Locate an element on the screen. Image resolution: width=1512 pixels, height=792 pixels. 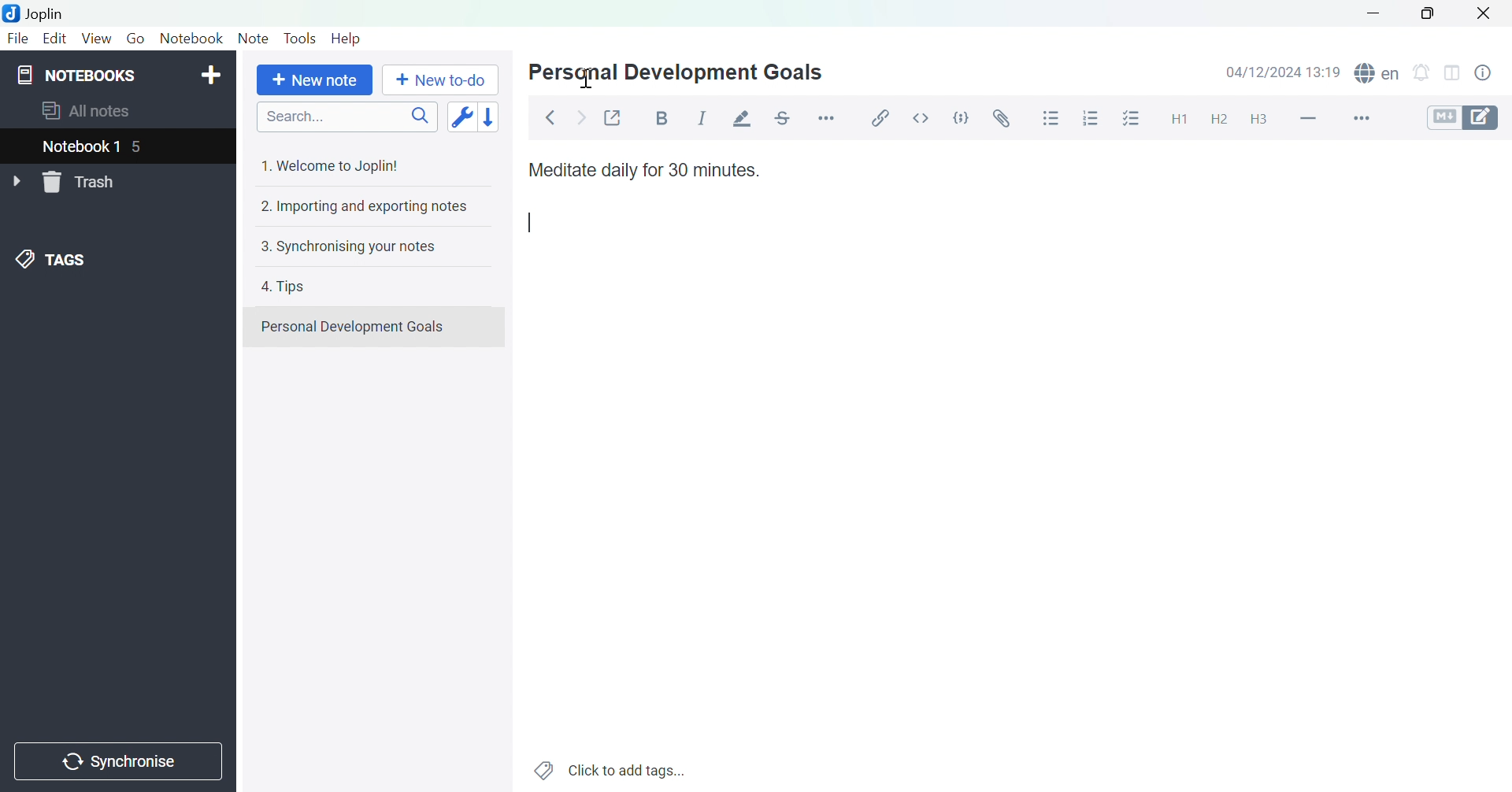
Bold is located at coordinates (658, 118).